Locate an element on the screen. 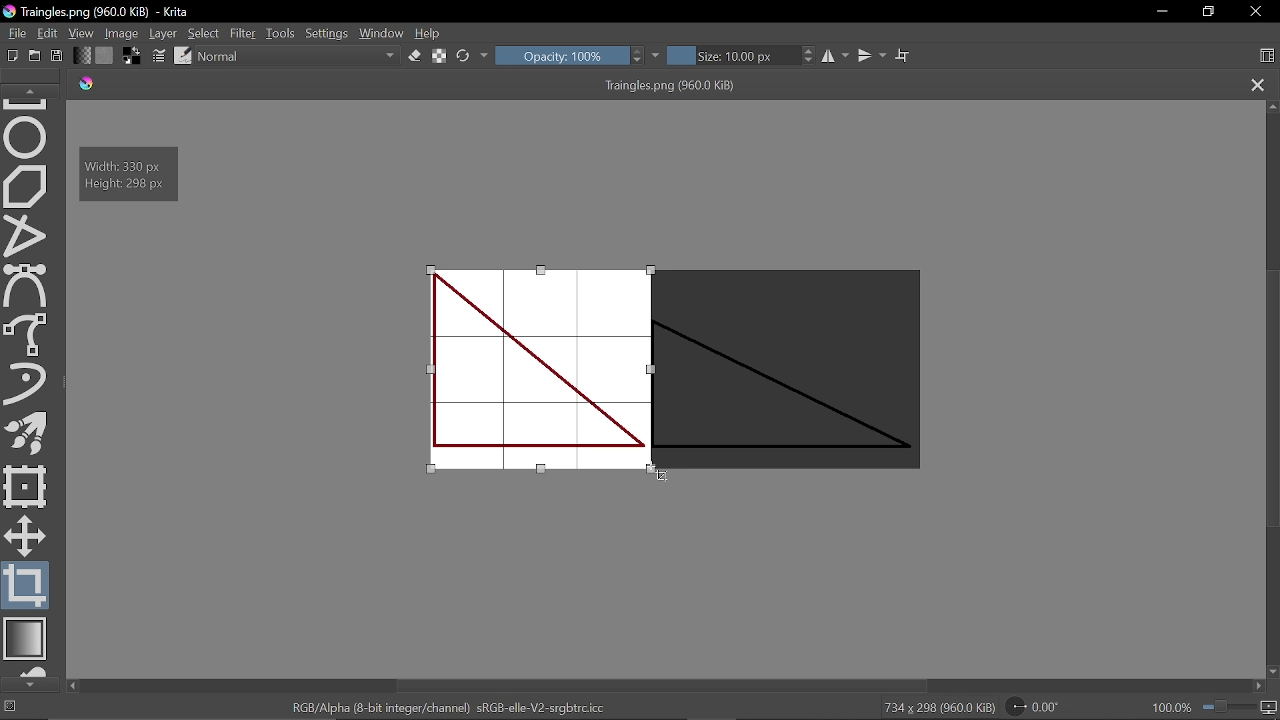 The image size is (1280, 720). "RGB/Alpha (8-bit integer/channel) sRGB-elle-V2-srgbtrc.icc is located at coordinates (448, 707).